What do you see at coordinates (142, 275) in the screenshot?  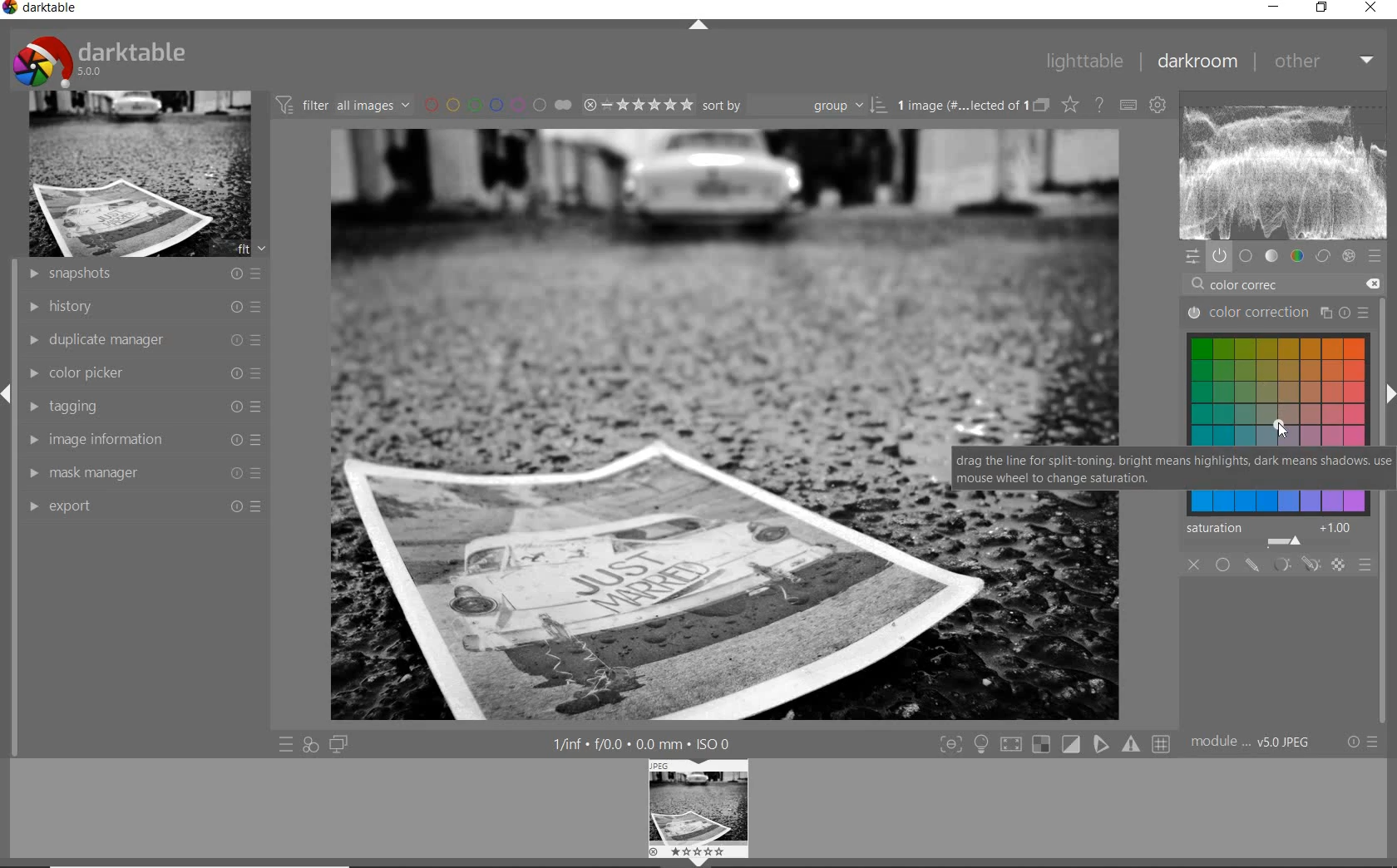 I see `snapshots` at bounding box center [142, 275].